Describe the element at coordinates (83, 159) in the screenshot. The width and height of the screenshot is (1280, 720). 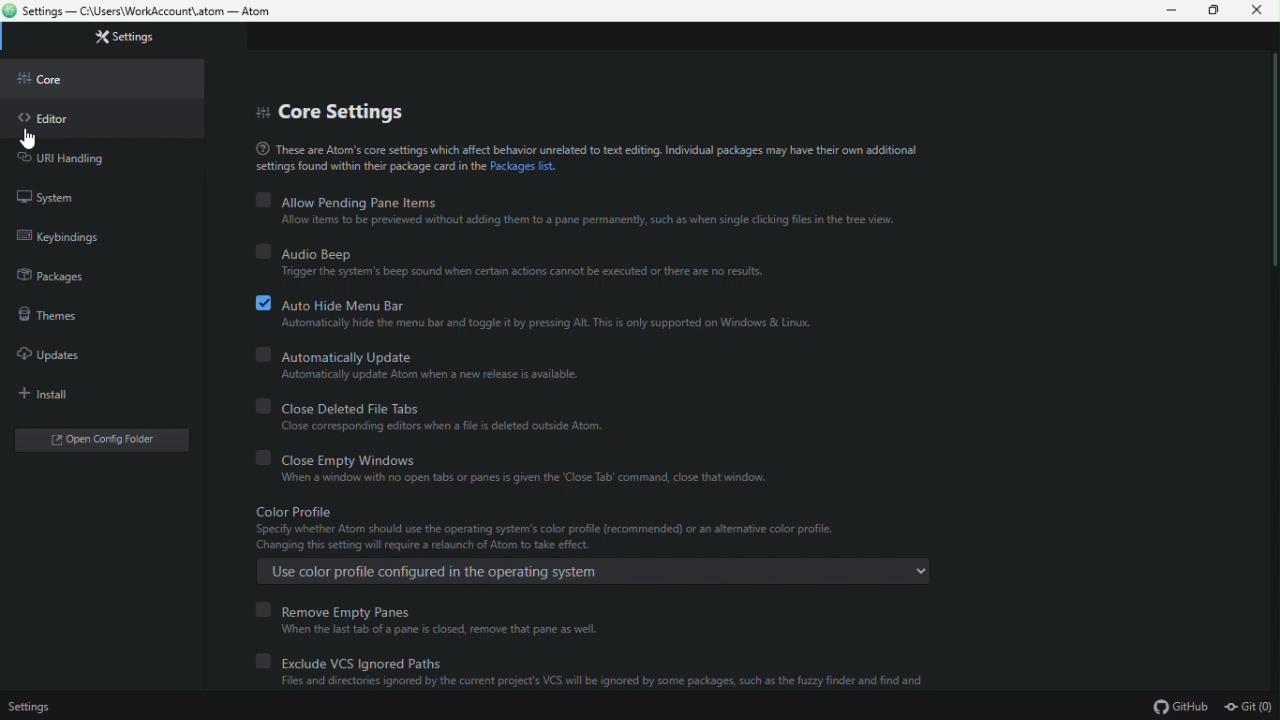
I see `URL handling` at that location.